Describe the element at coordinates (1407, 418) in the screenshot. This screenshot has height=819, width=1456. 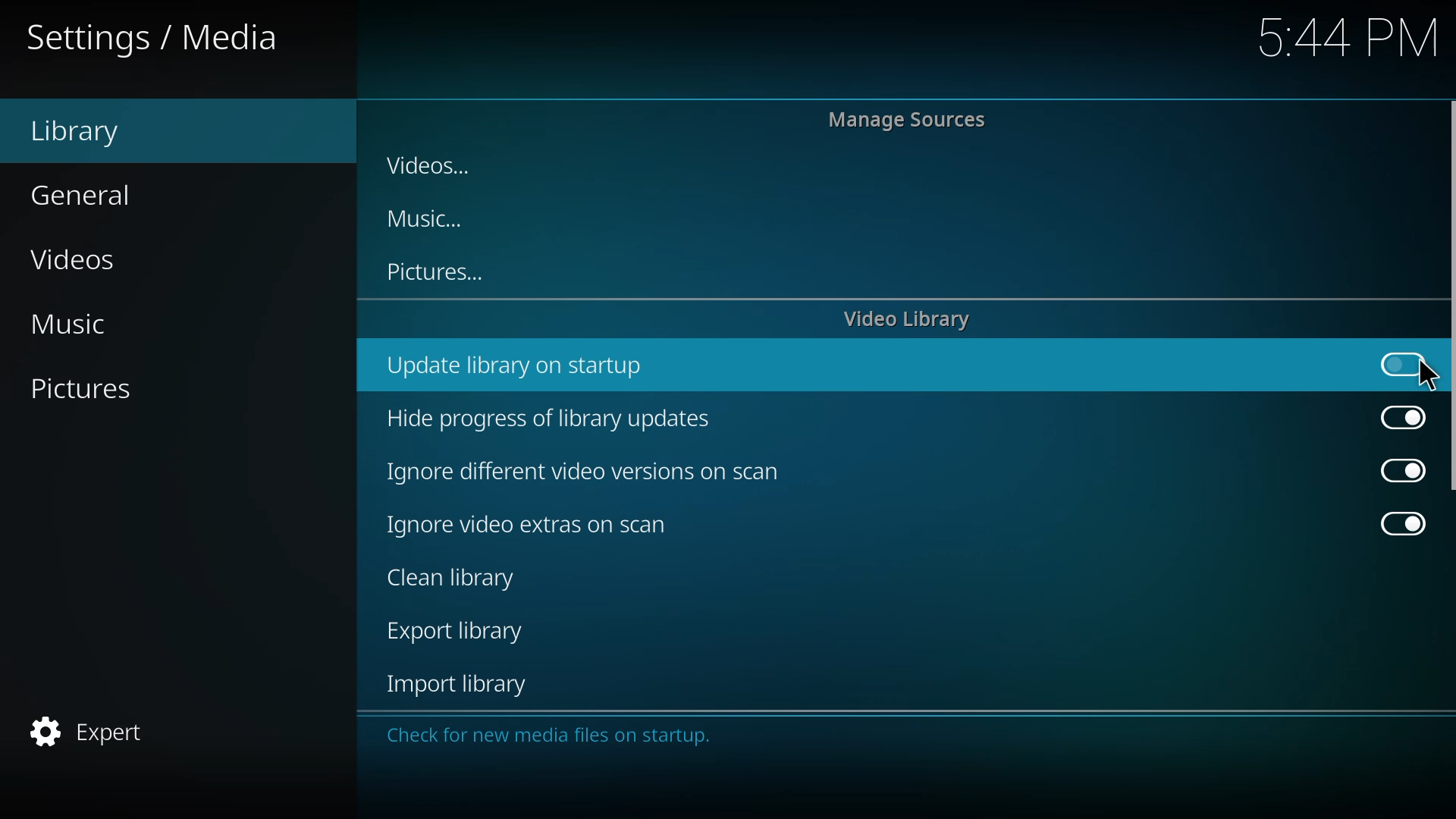
I see `enabled` at that location.